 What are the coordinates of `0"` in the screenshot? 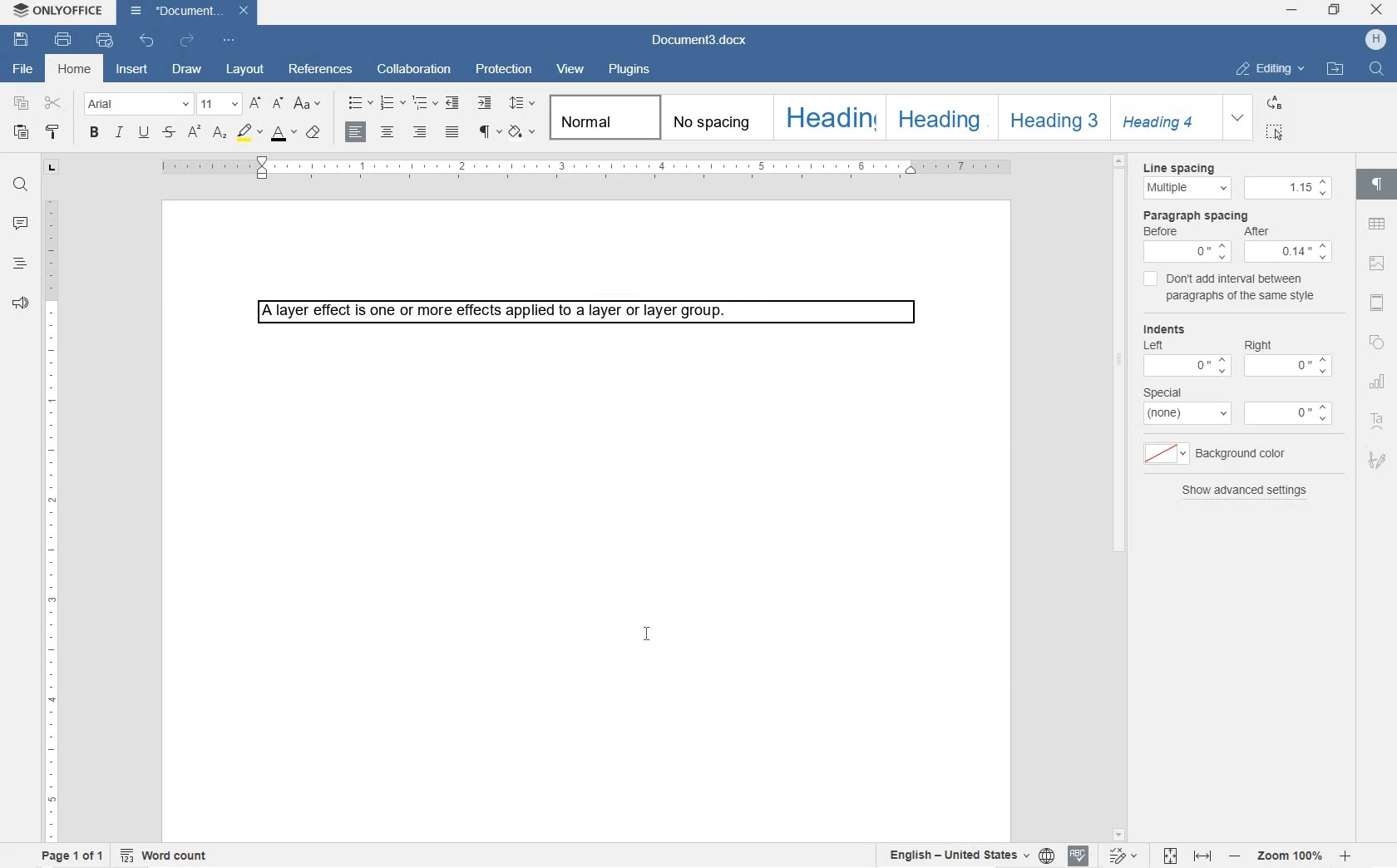 It's located at (1288, 414).